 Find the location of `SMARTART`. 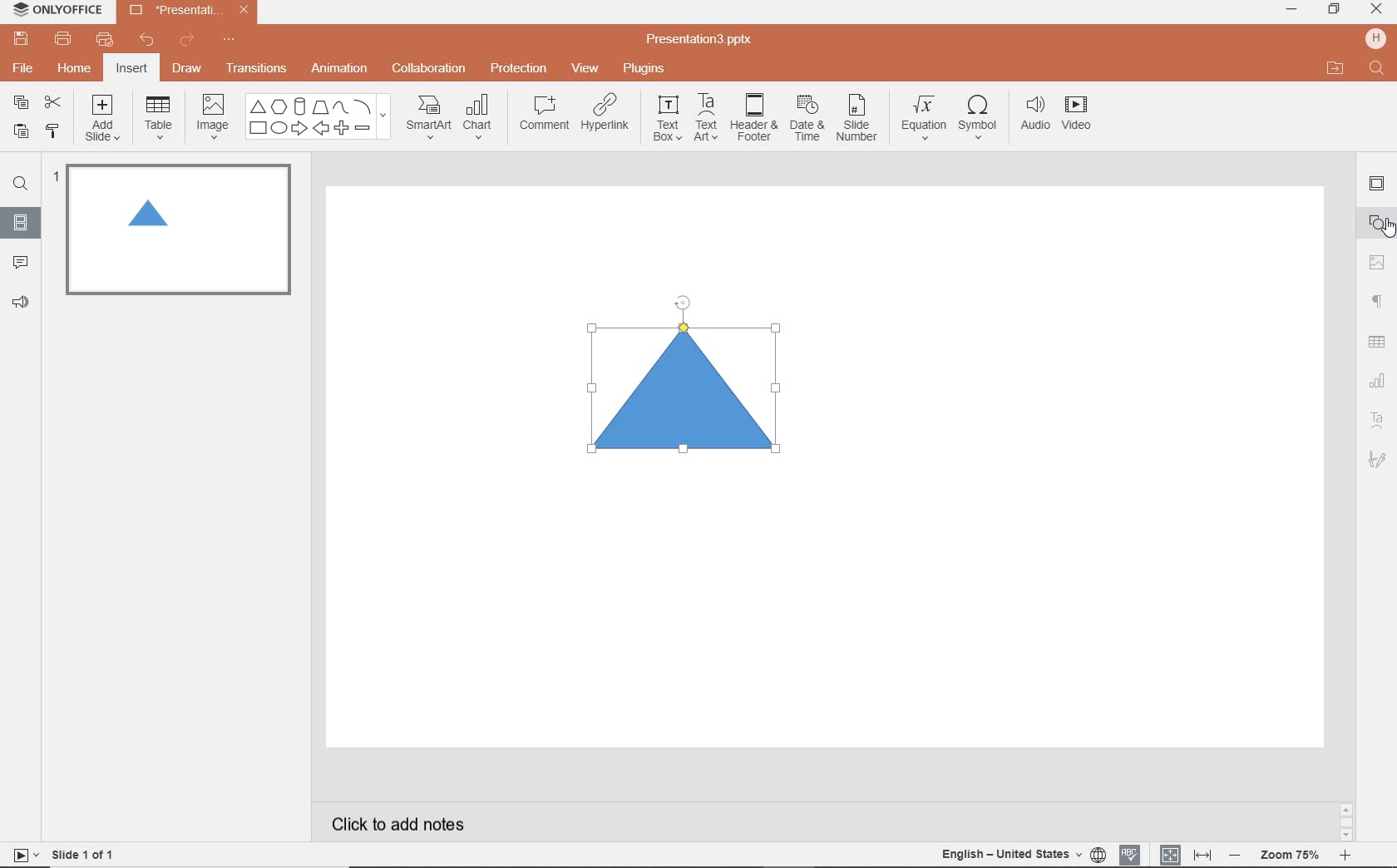

SMARTART is located at coordinates (429, 123).